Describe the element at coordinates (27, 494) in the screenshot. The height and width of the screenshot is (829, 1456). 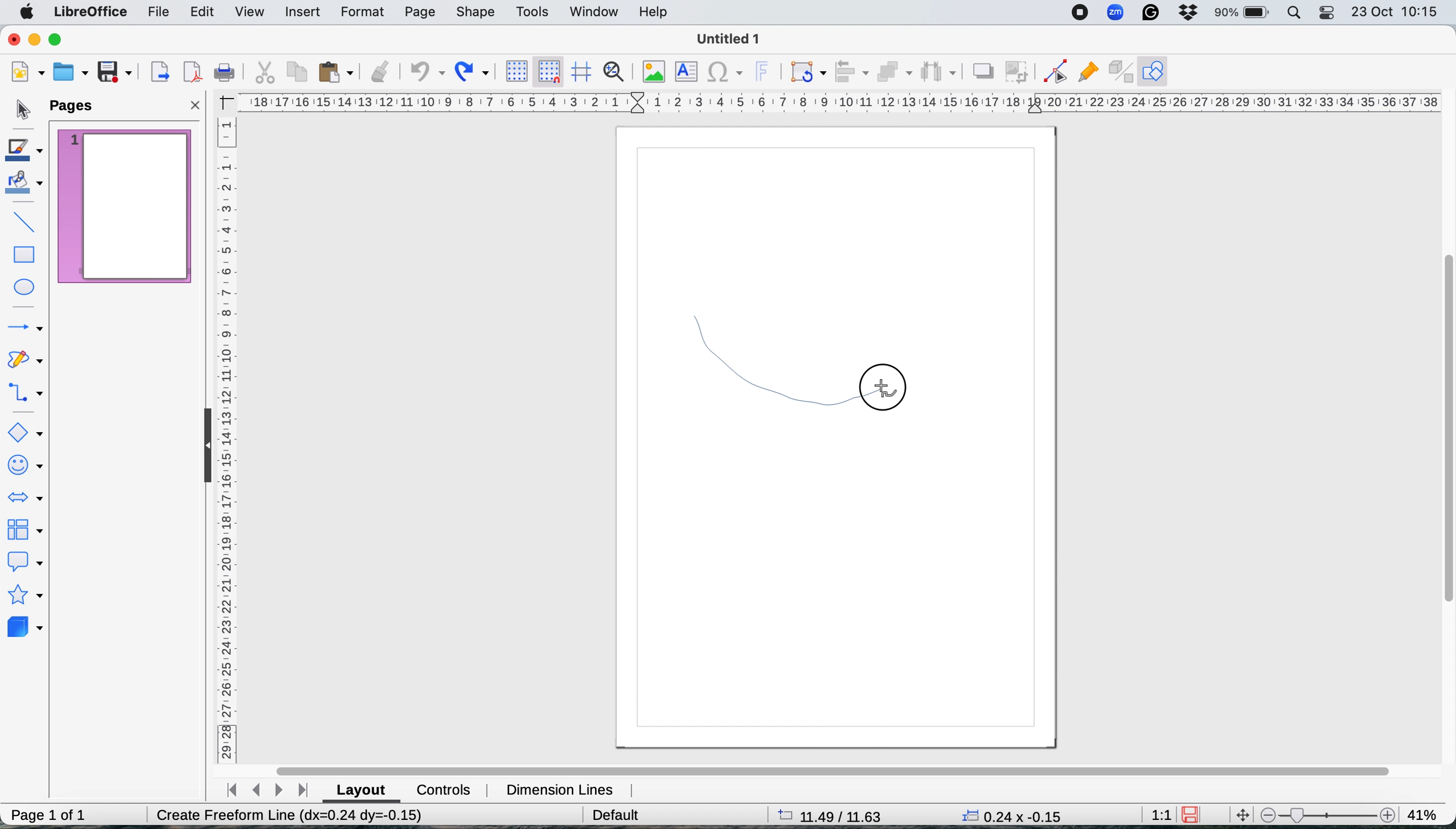
I see `block arrows` at that location.